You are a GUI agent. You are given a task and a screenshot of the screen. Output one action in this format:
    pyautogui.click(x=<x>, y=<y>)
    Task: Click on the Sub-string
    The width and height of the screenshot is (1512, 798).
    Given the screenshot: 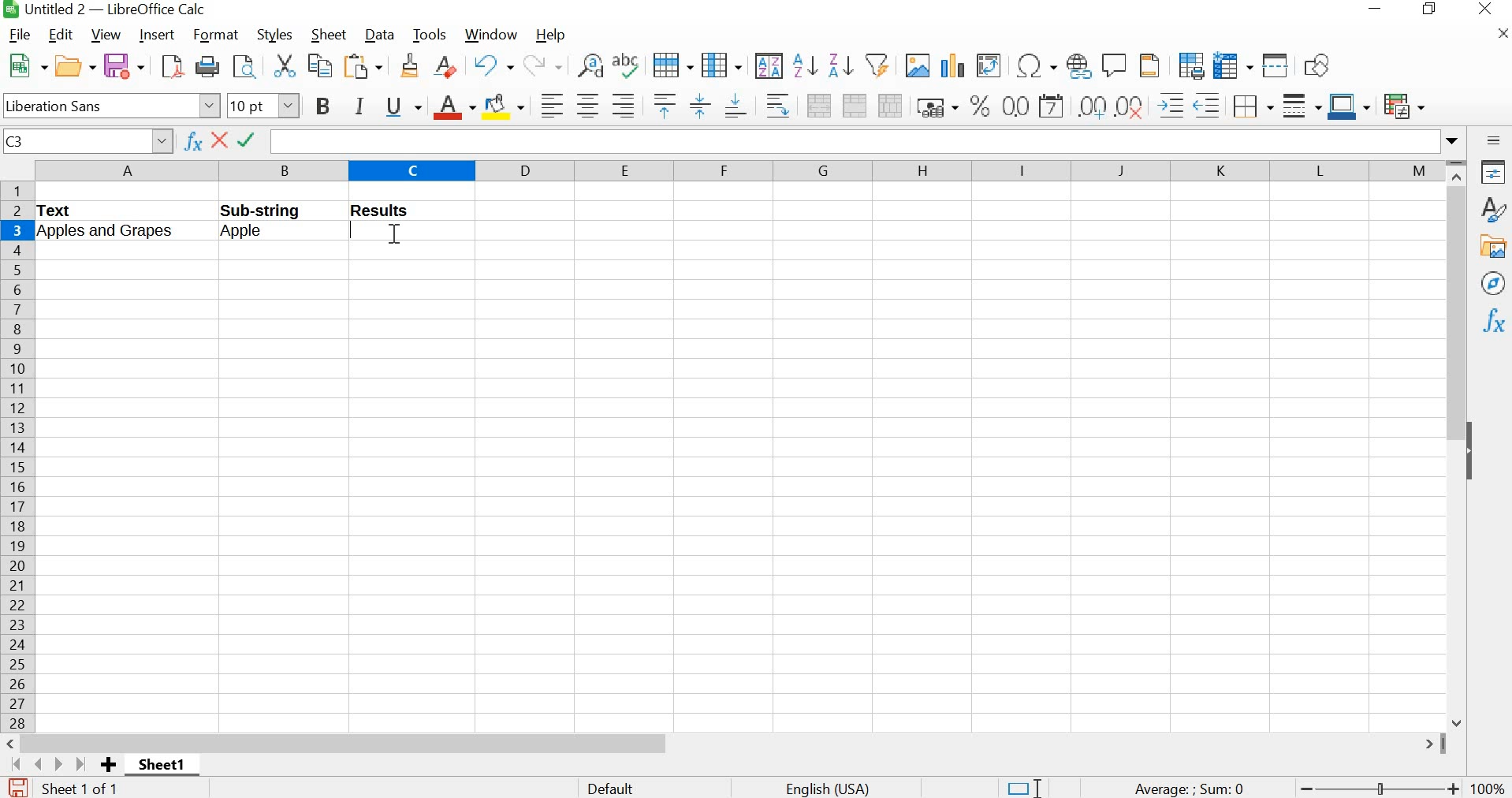 What is the action you would take?
    pyautogui.click(x=280, y=209)
    